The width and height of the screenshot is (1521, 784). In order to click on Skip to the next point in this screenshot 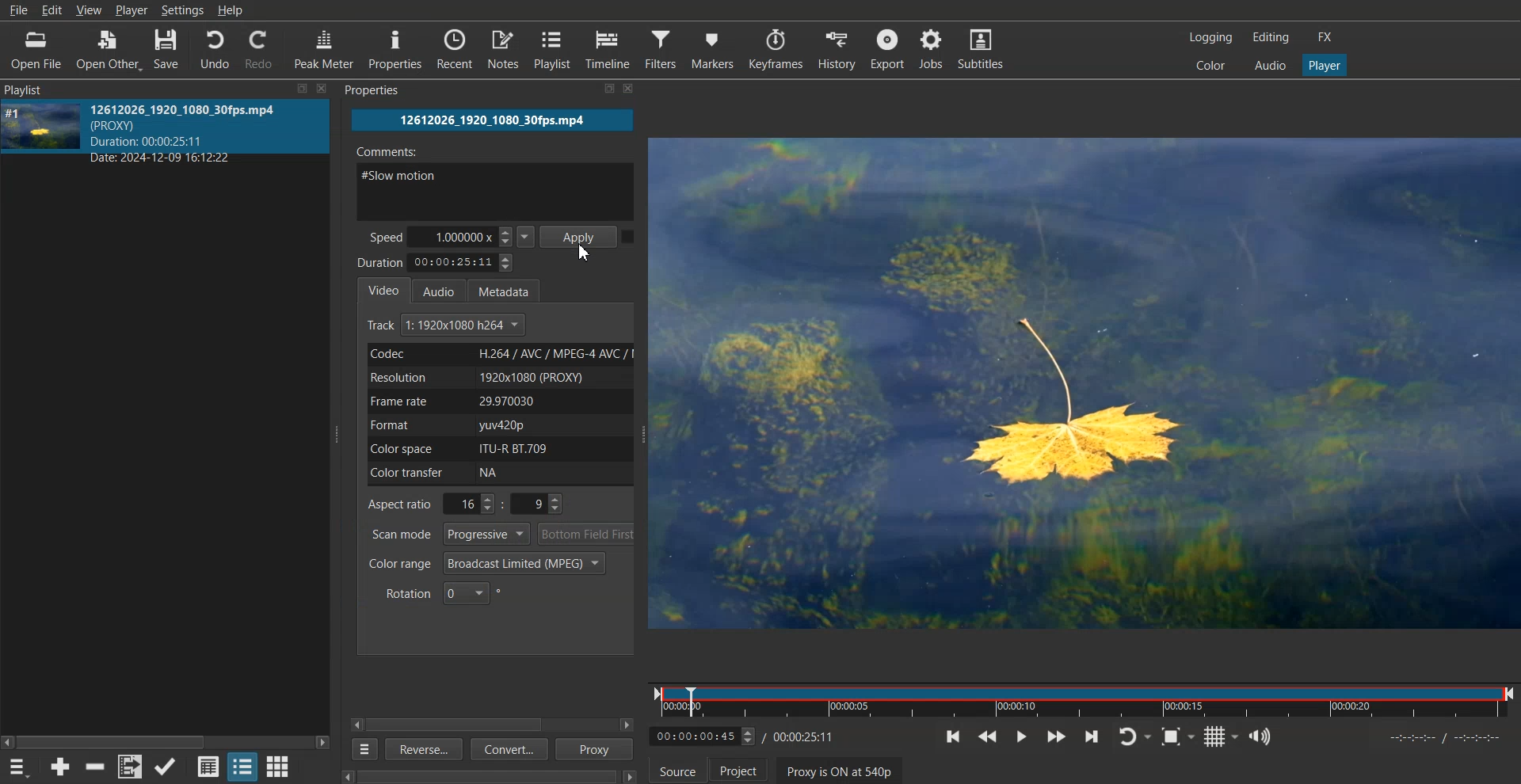, I will do `click(1092, 736)`.